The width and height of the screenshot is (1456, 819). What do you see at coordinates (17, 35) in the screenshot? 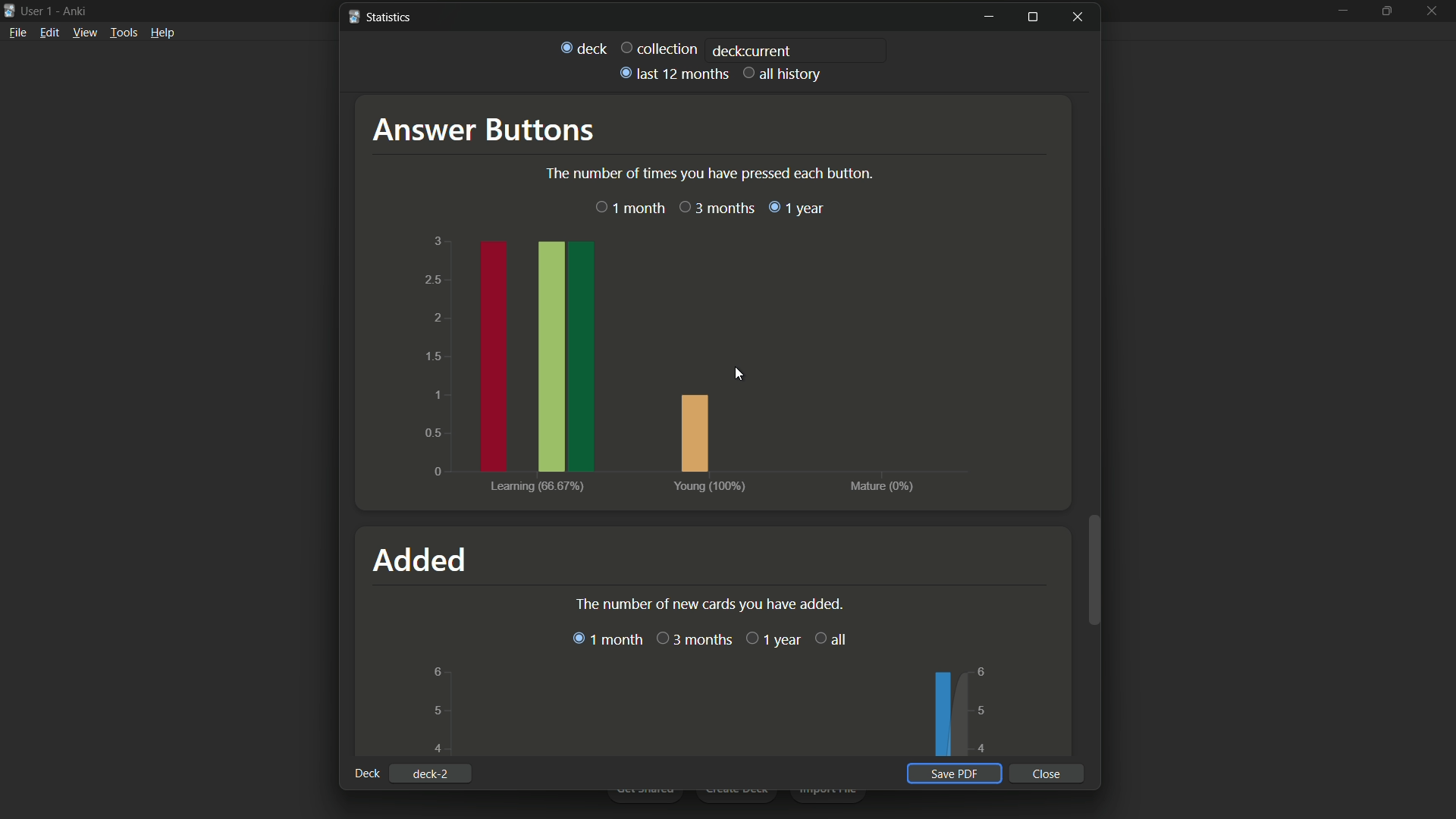
I see `file` at bounding box center [17, 35].